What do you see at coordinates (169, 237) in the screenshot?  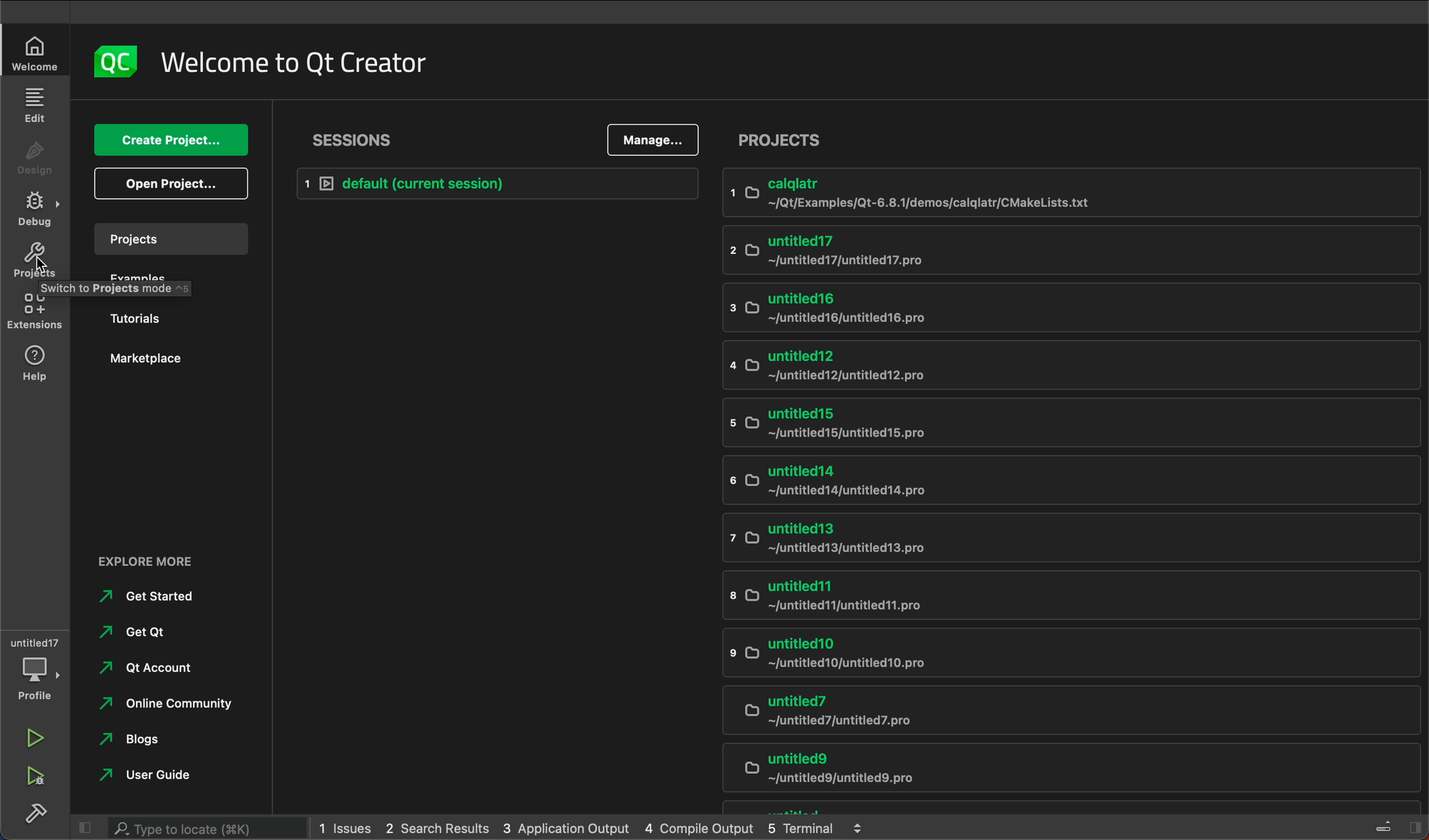 I see `projects` at bounding box center [169, 237].